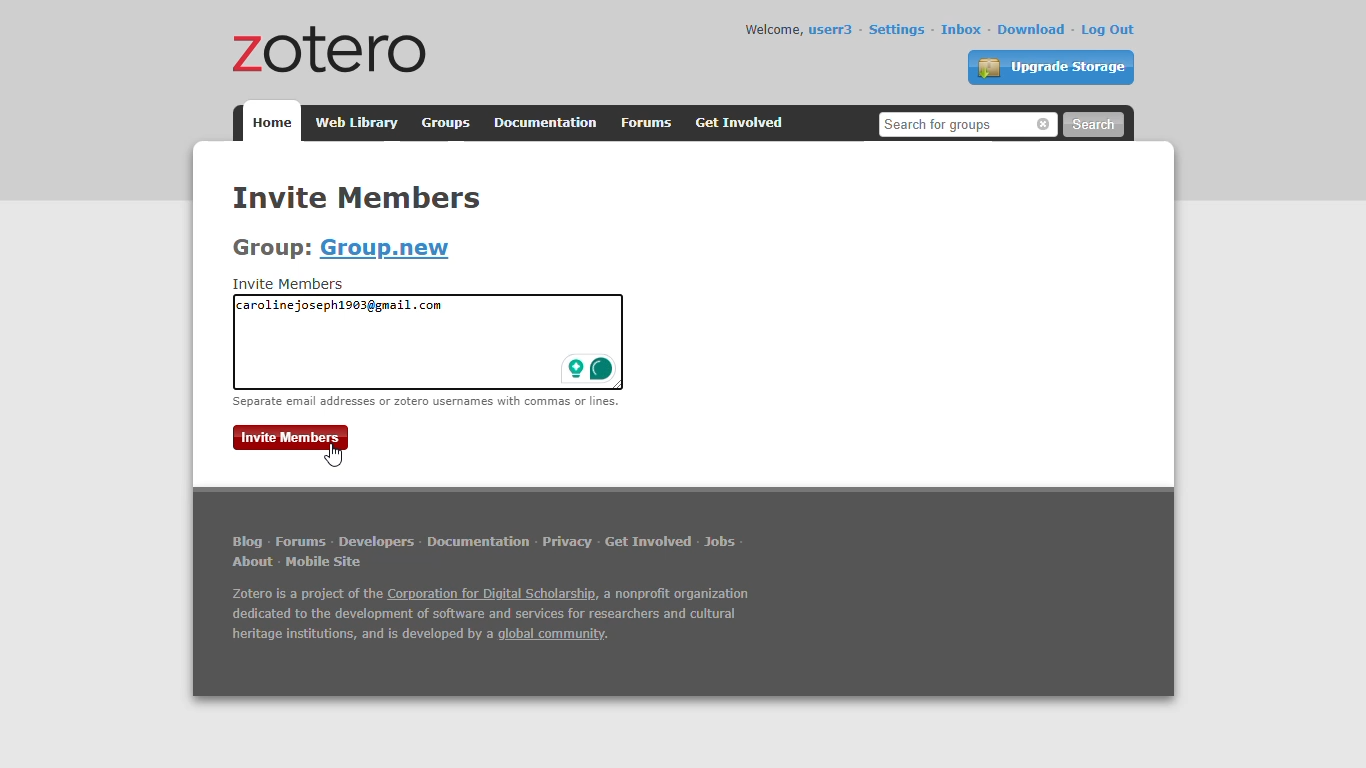 The height and width of the screenshot is (768, 1366). Describe the element at coordinates (252, 562) in the screenshot. I see `about` at that location.